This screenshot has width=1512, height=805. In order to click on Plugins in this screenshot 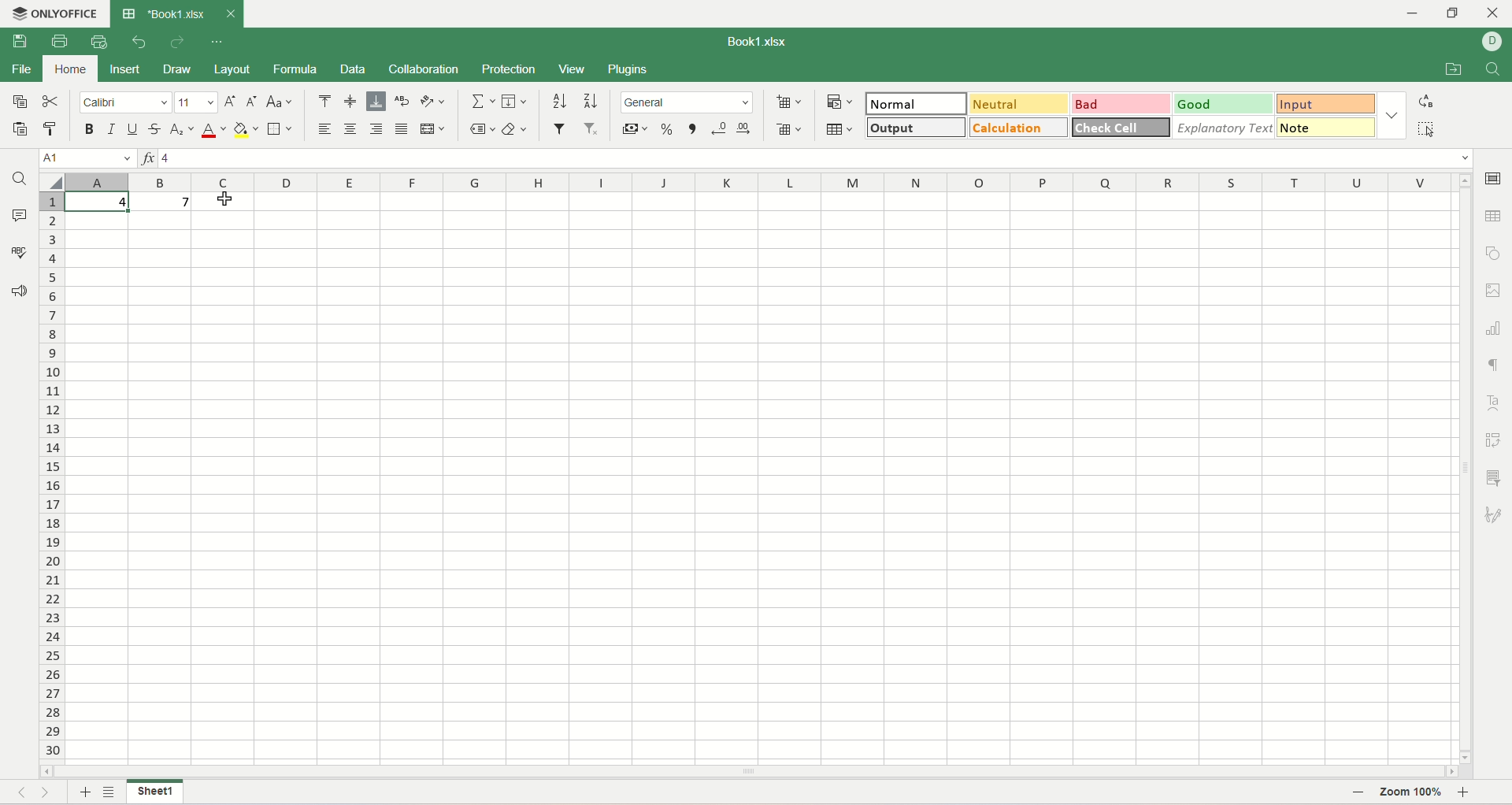, I will do `click(629, 69)`.